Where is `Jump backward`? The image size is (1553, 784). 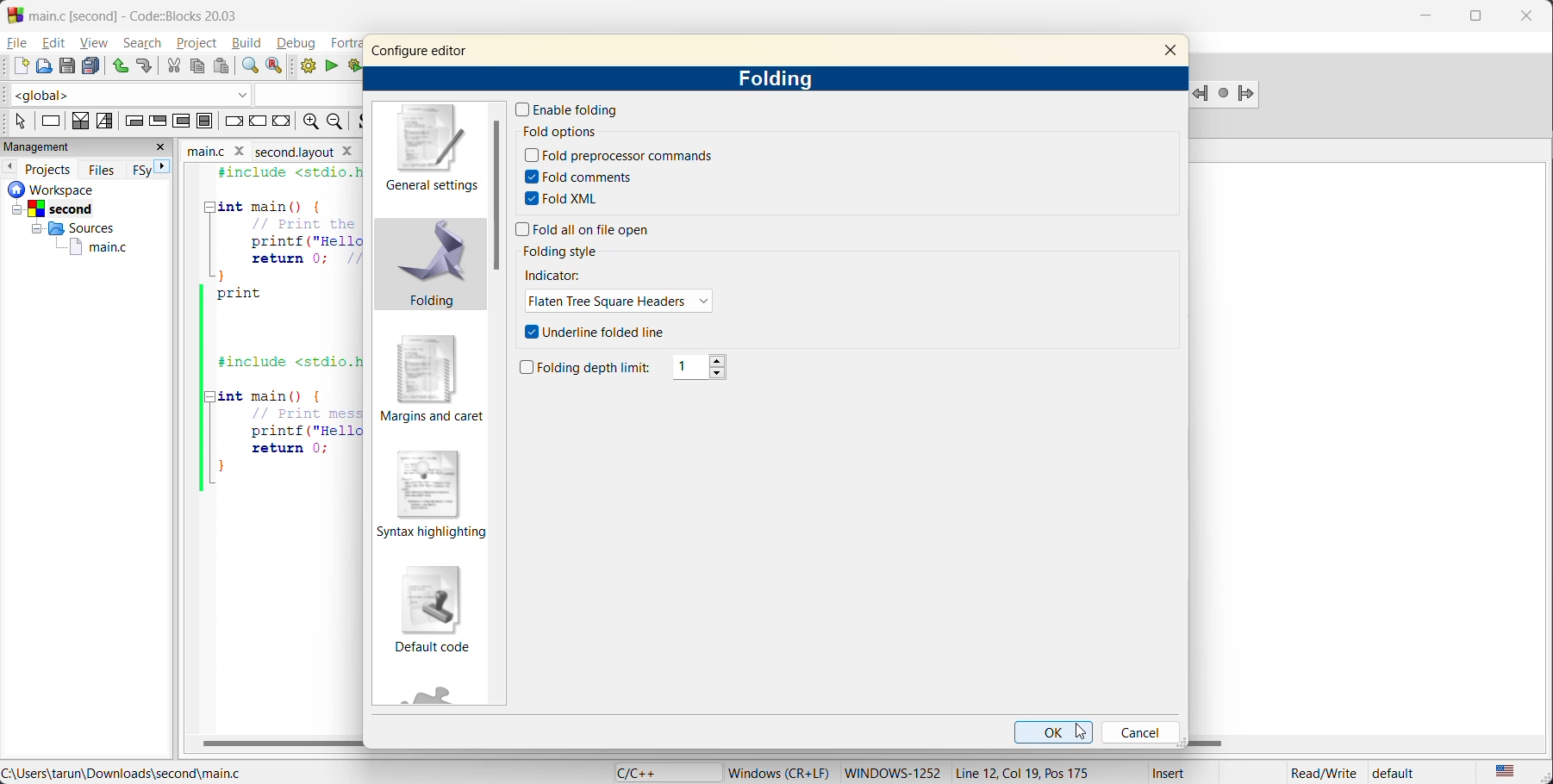 Jump backward is located at coordinates (1201, 91).